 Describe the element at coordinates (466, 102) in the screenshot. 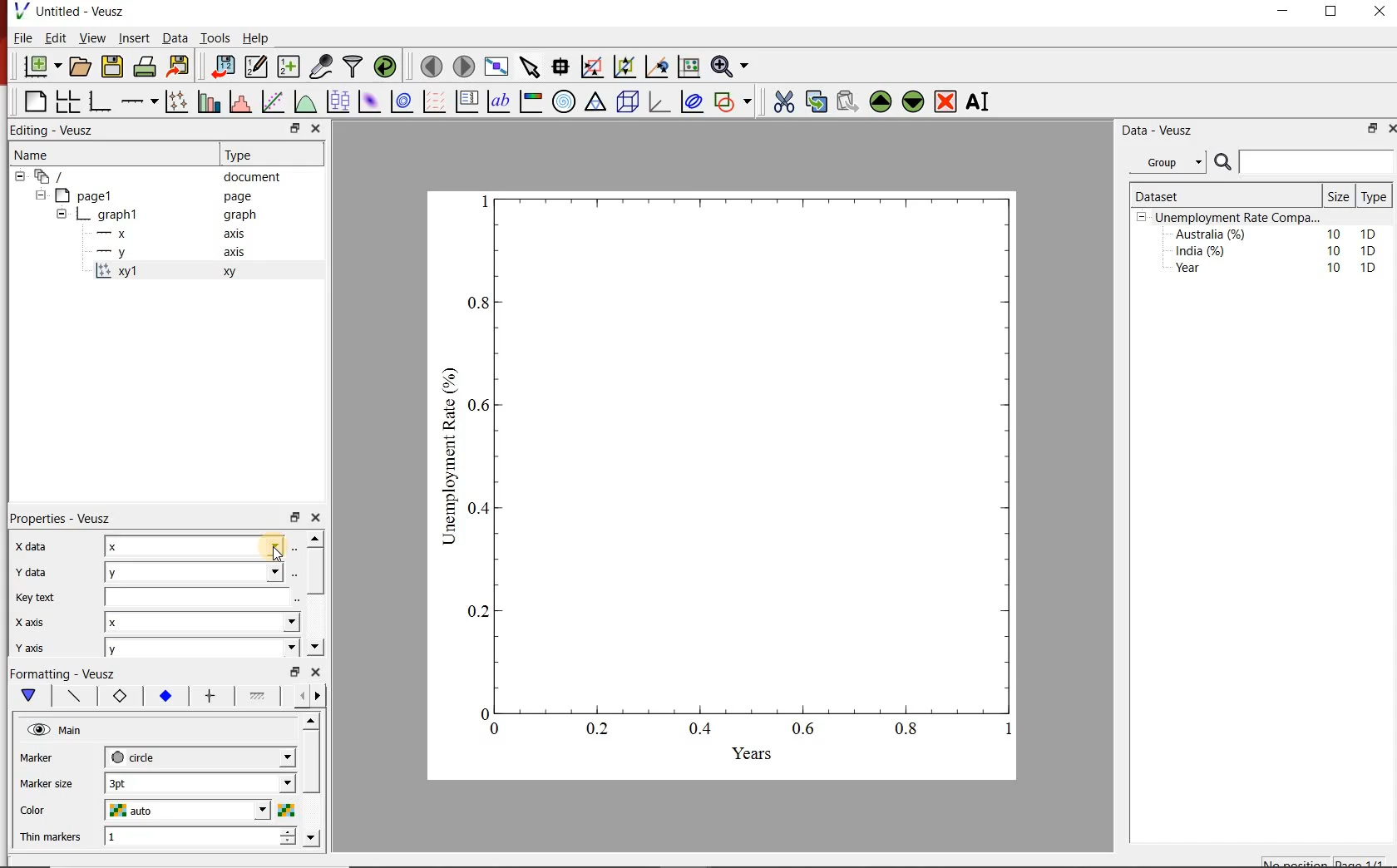

I see `plot key` at that location.